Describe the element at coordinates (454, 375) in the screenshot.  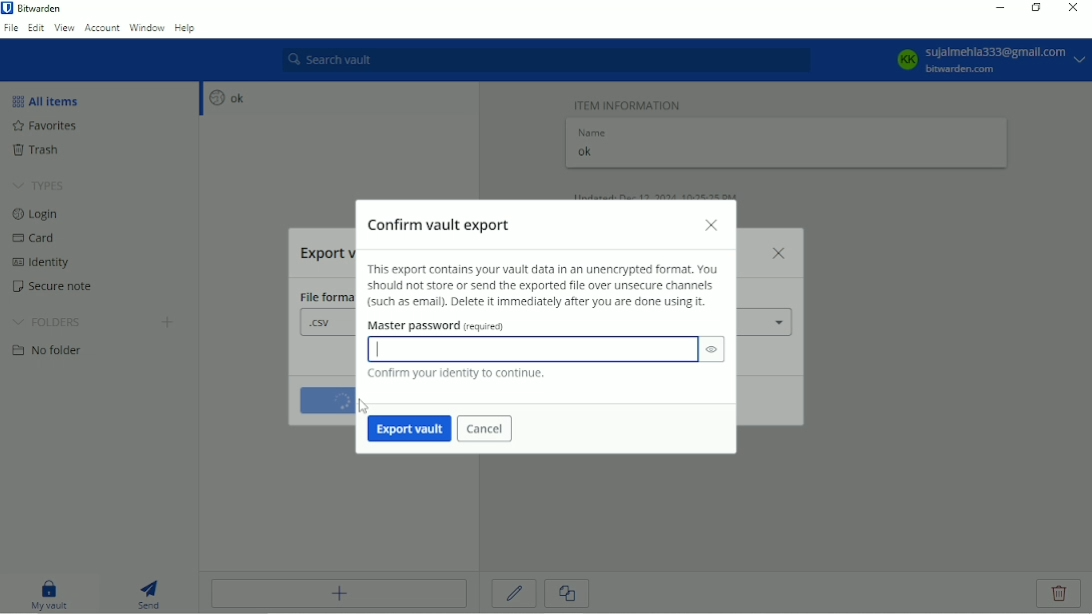
I see `Confirm your identity to continue.` at that location.